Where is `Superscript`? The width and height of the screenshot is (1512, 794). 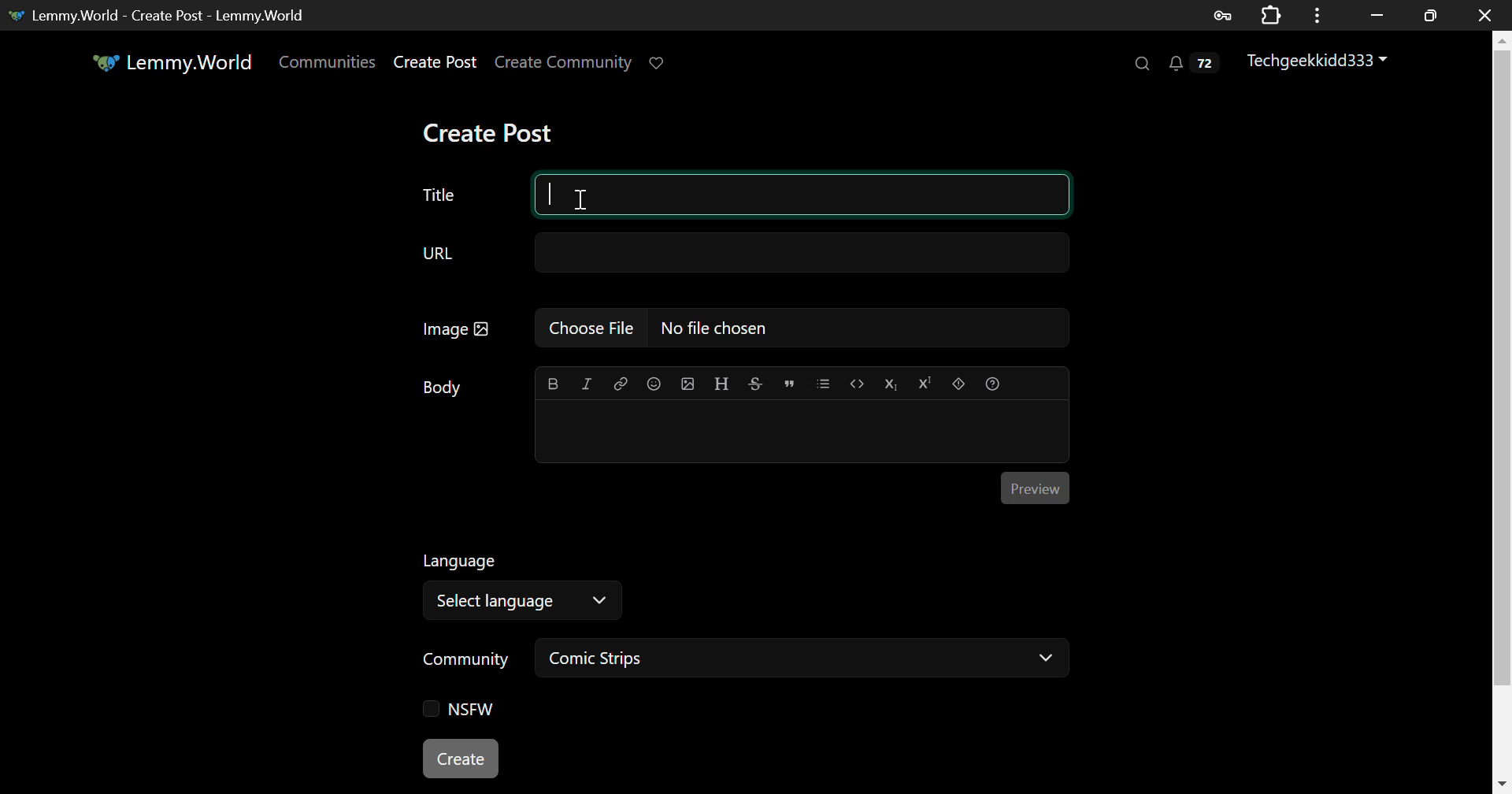
Superscript is located at coordinates (925, 385).